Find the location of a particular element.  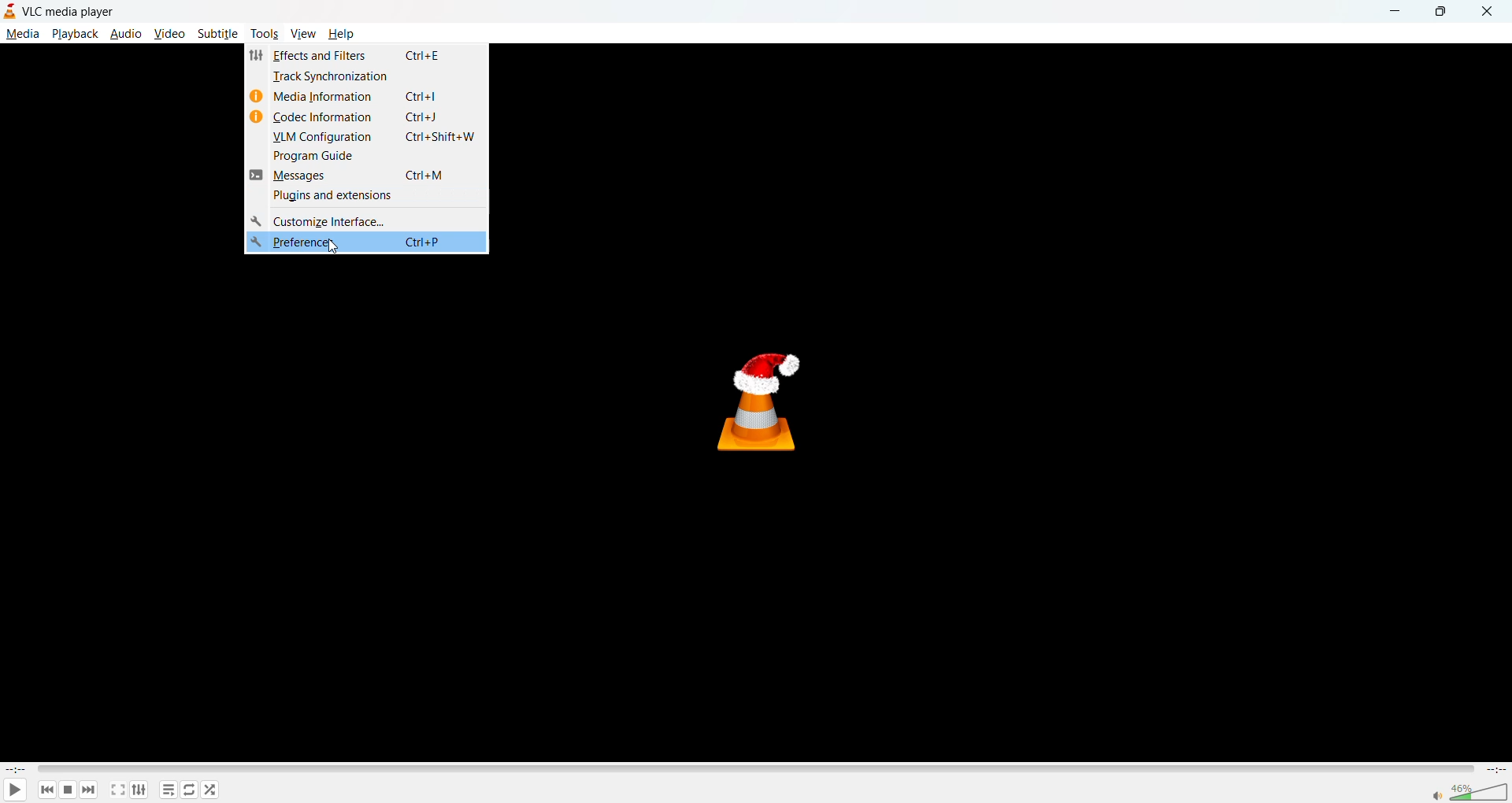

current track time is located at coordinates (16, 768).